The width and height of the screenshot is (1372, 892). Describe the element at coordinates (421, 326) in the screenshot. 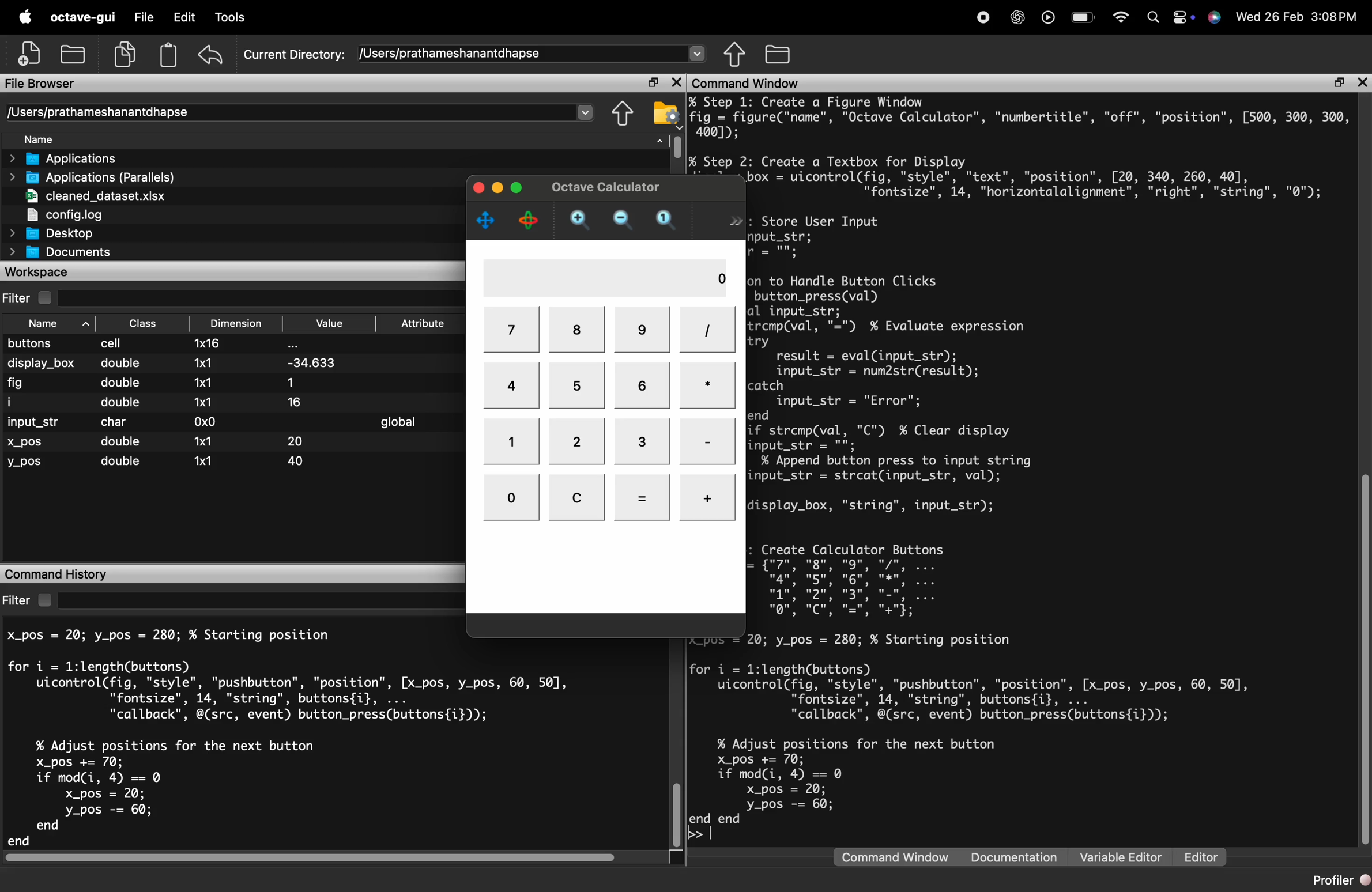

I see `Attribute` at that location.